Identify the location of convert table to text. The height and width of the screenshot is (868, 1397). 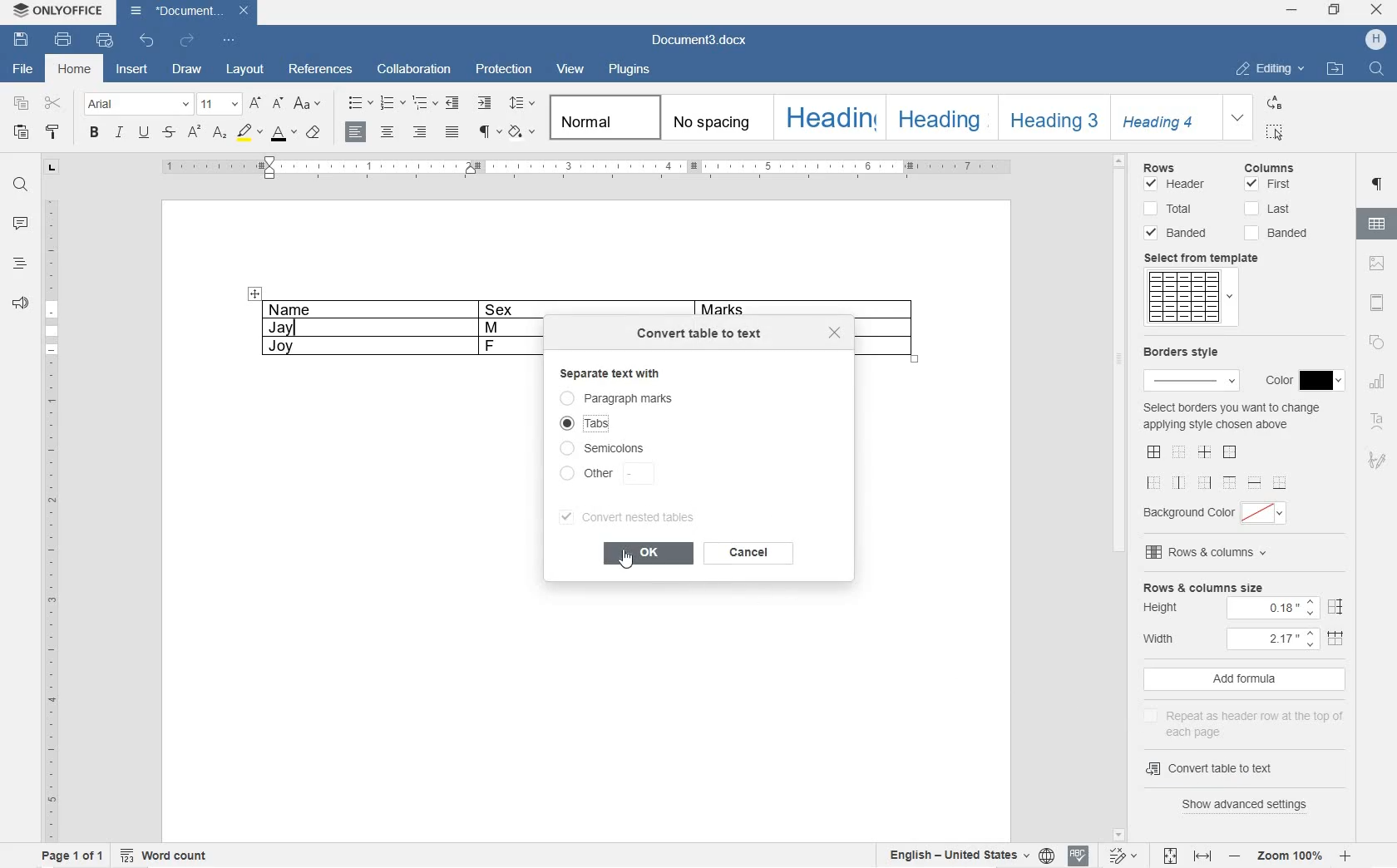
(702, 337).